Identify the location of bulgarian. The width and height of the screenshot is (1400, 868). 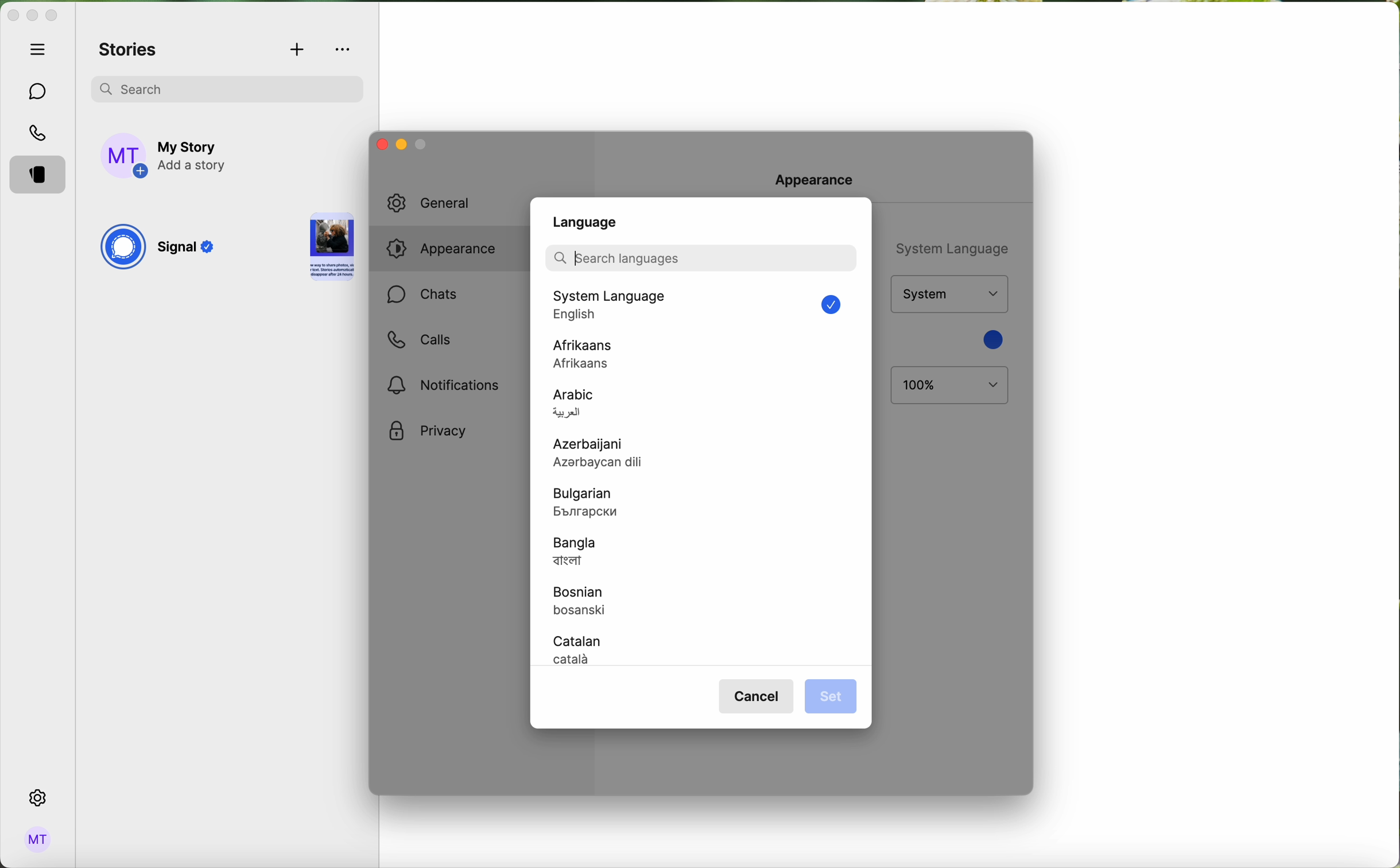
(590, 503).